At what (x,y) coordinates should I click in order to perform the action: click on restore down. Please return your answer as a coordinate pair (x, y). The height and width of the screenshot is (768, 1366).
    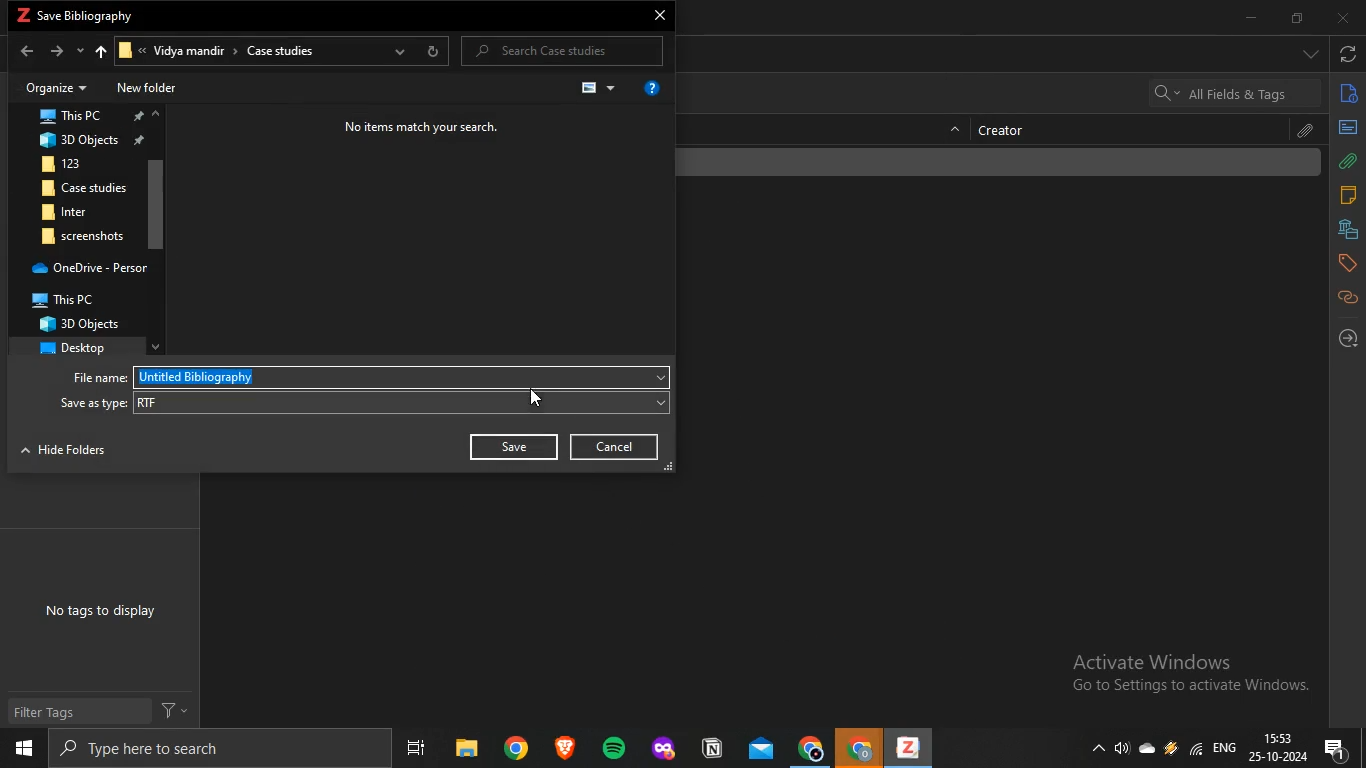
    Looking at the image, I should click on (1297, 20).